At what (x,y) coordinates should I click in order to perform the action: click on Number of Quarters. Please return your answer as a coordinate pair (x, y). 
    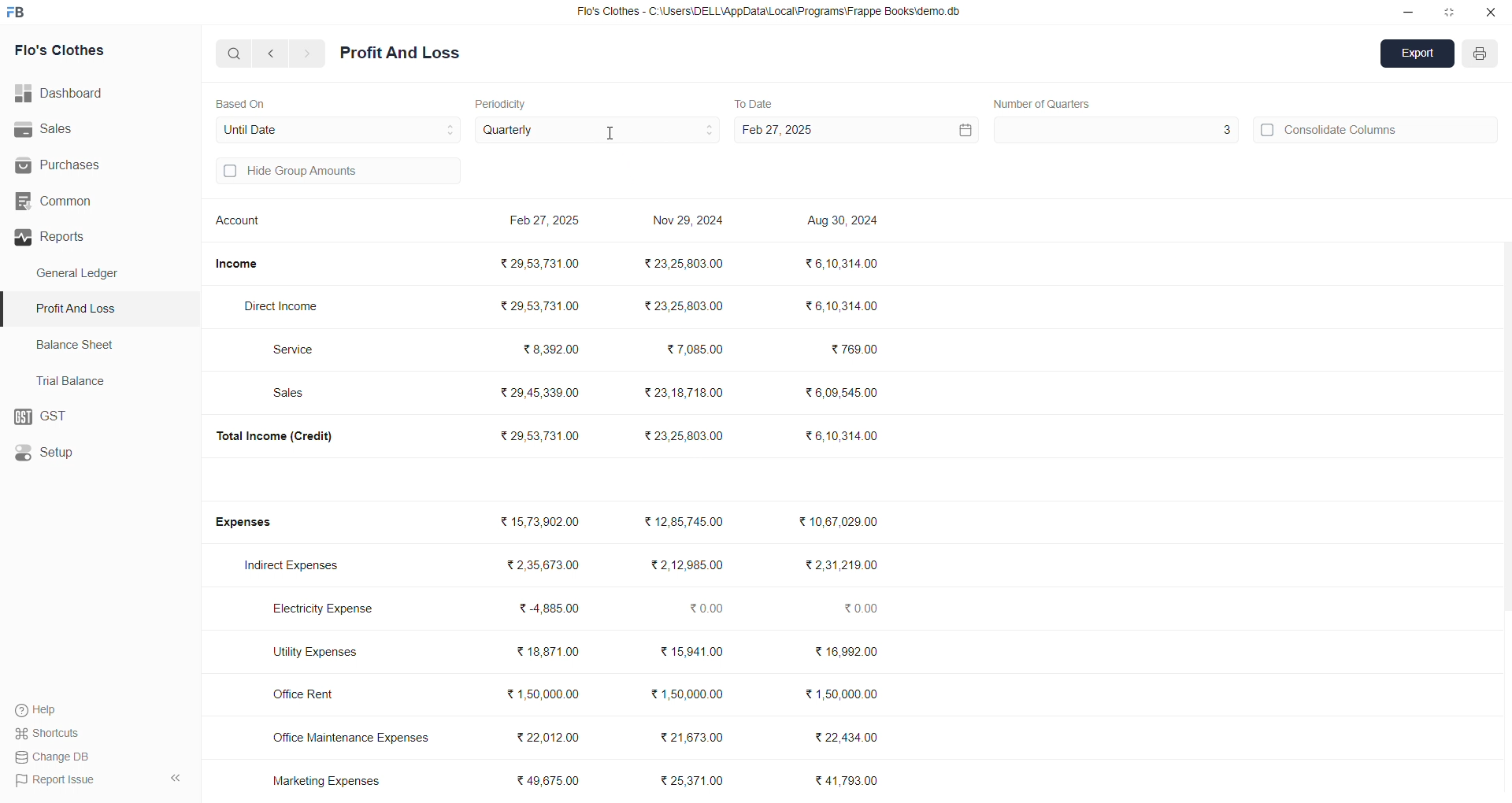
    Looking at the image, I should click on (1043, 103).